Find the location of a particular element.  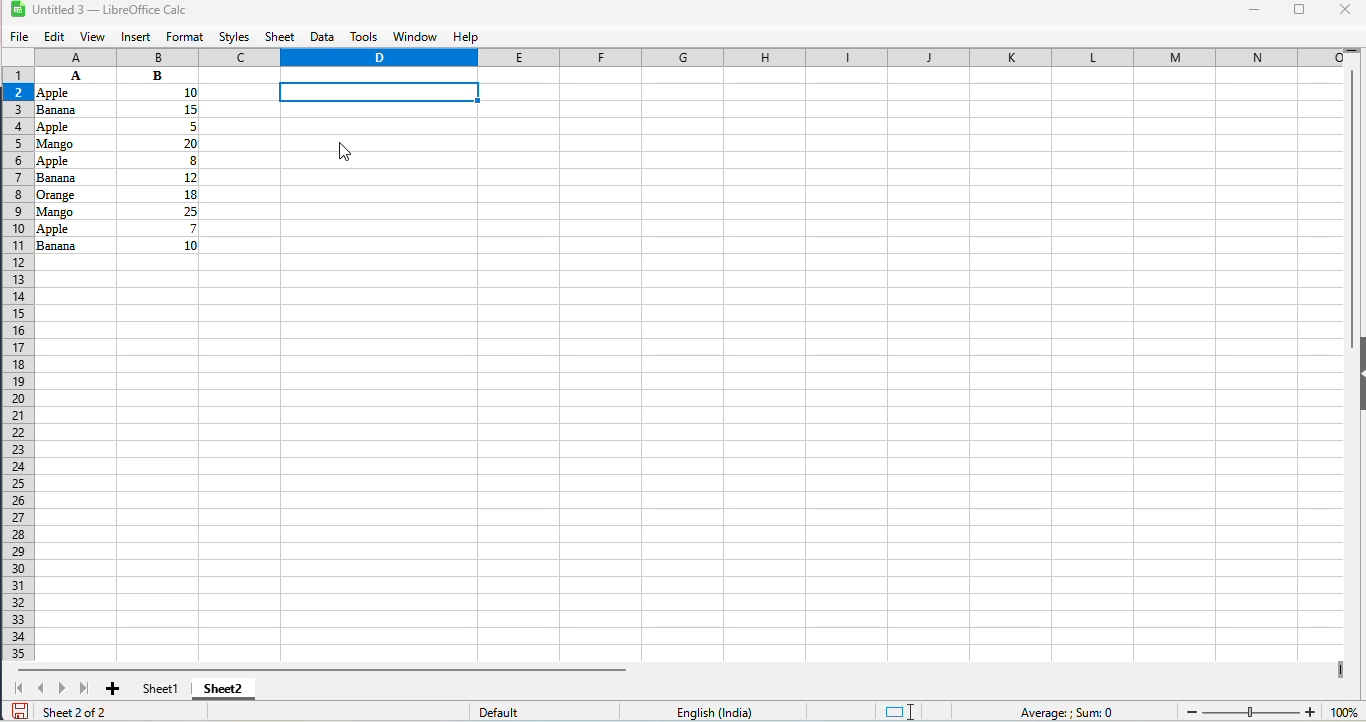

zoom out is located at coordinates (1193, 712).